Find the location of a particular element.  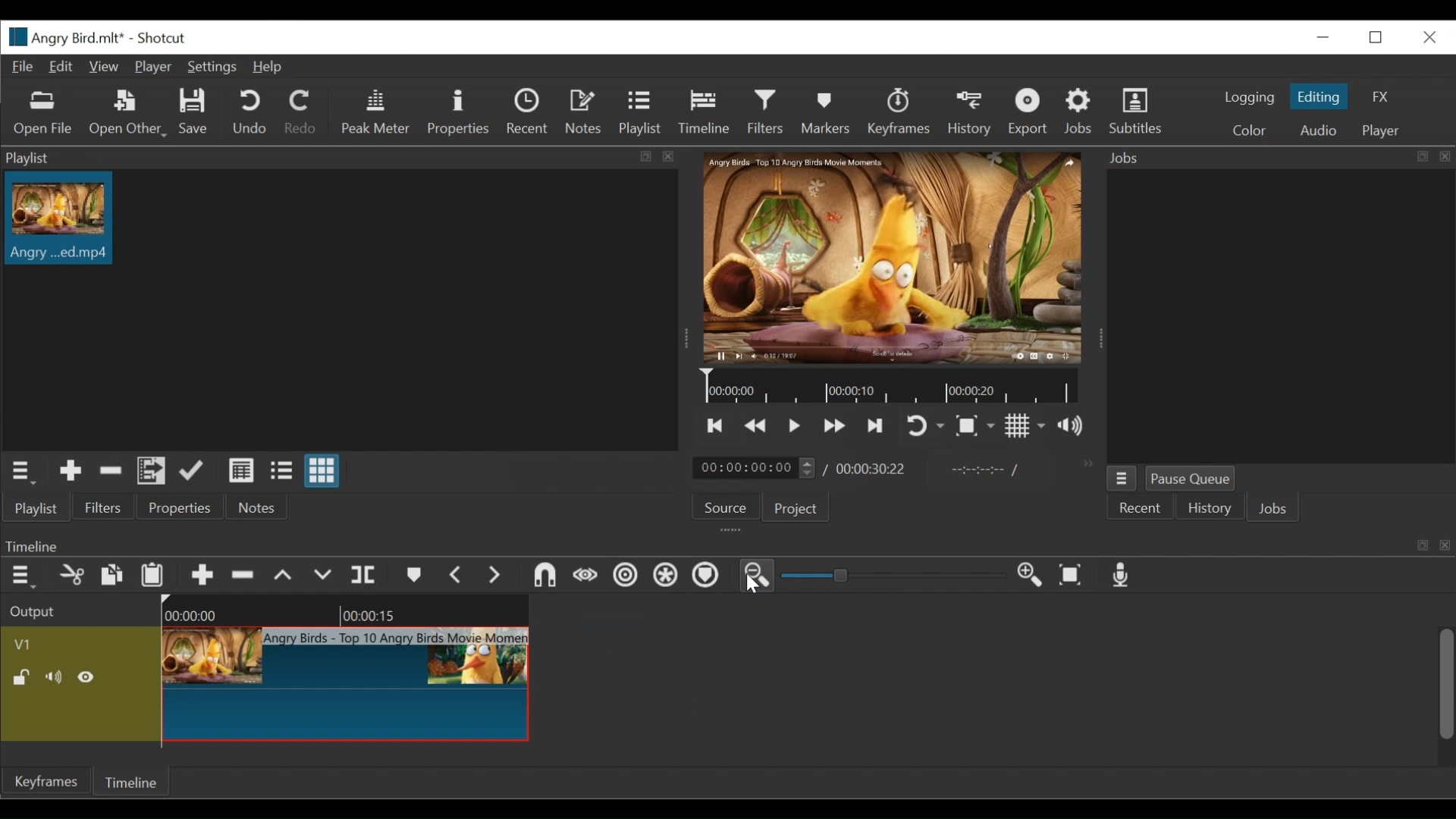

Filters is located at coordinates (104, 507).